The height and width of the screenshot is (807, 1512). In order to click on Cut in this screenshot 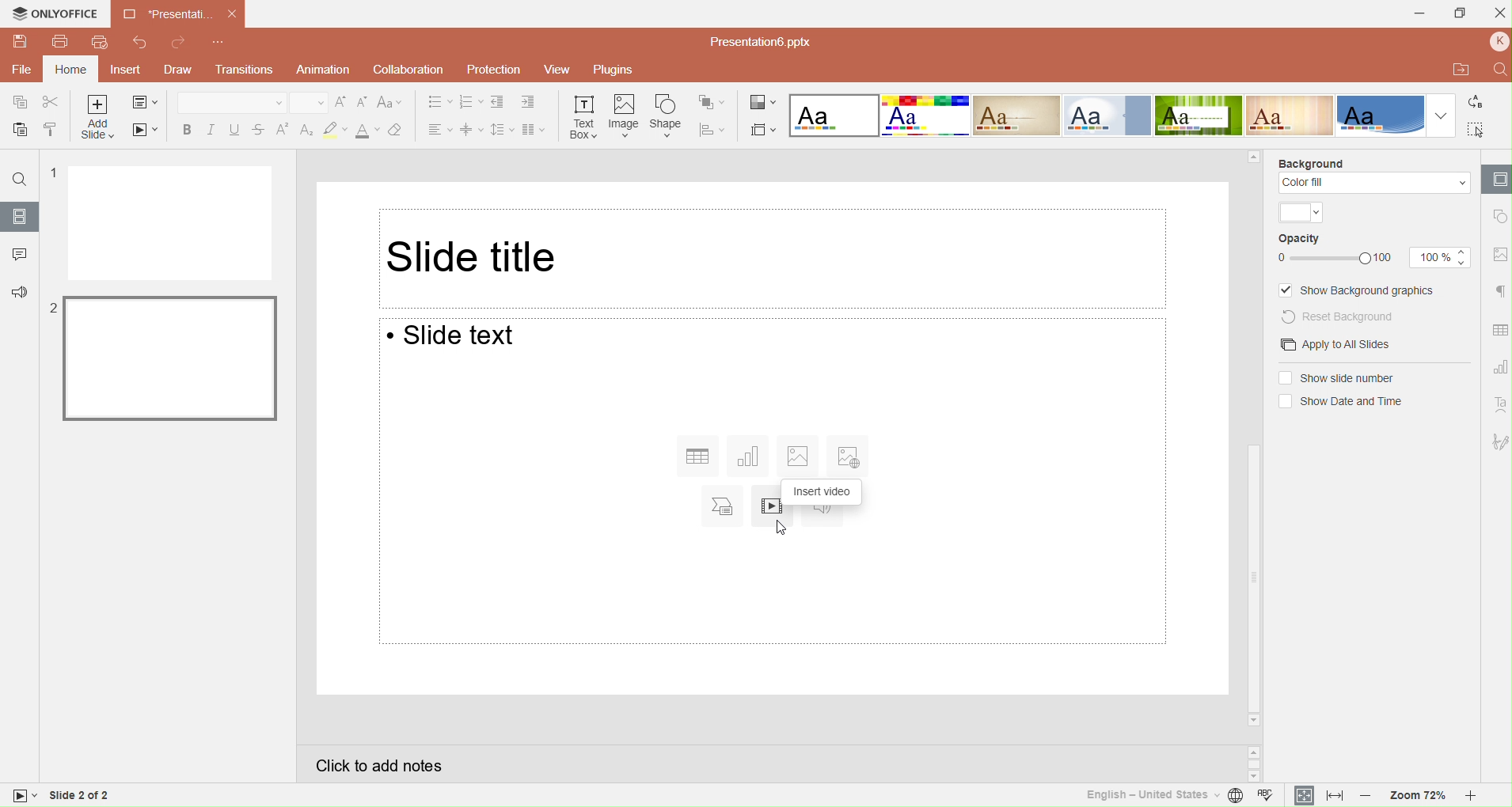, I will do `click(52, 102)`.